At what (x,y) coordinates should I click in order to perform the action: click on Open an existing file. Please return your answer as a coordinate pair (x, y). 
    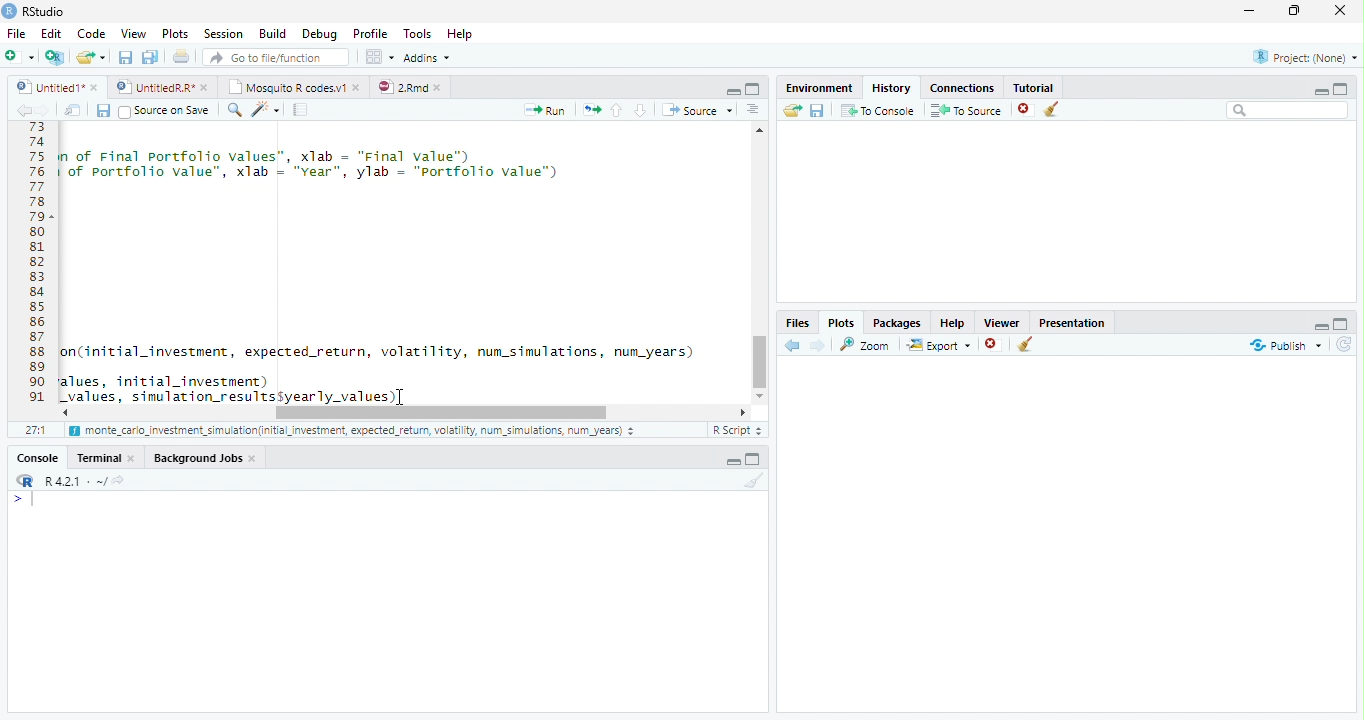
    Looking at the image, I should click on (91, 56).